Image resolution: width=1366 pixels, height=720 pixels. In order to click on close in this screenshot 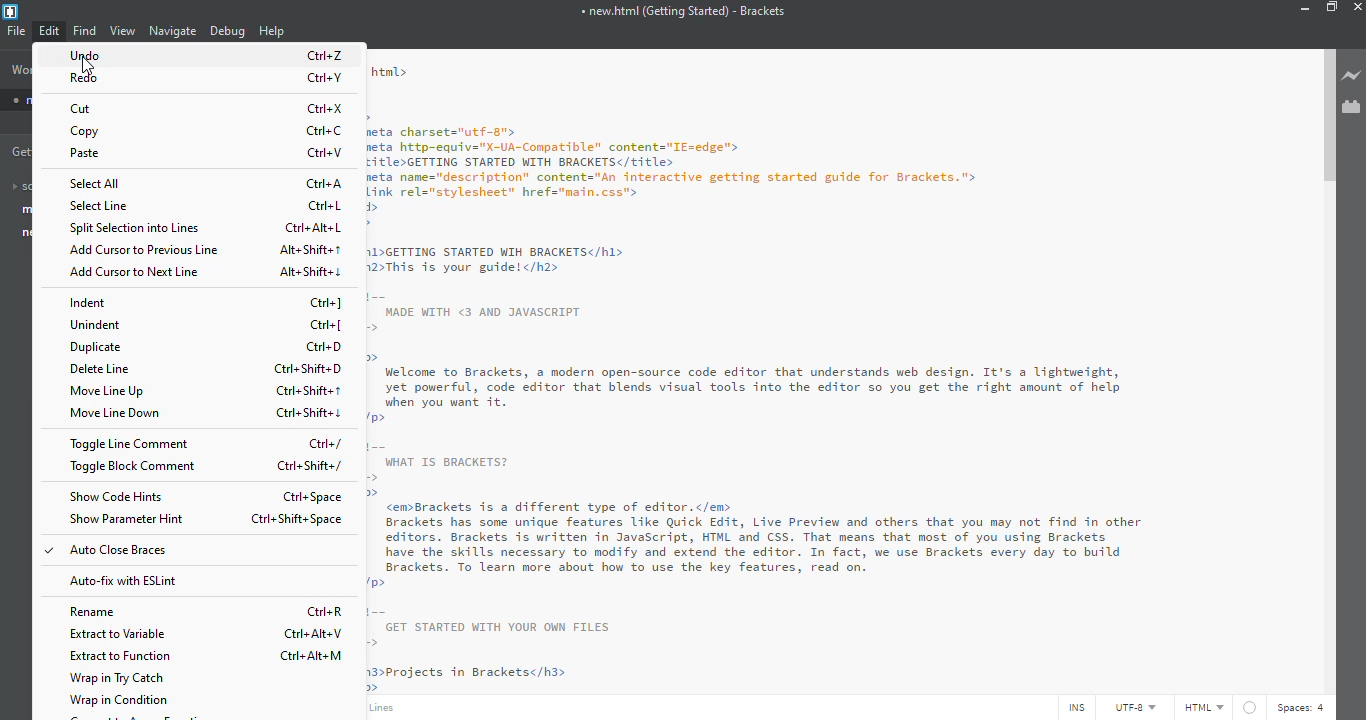, I will do `click(1360, 6)`.